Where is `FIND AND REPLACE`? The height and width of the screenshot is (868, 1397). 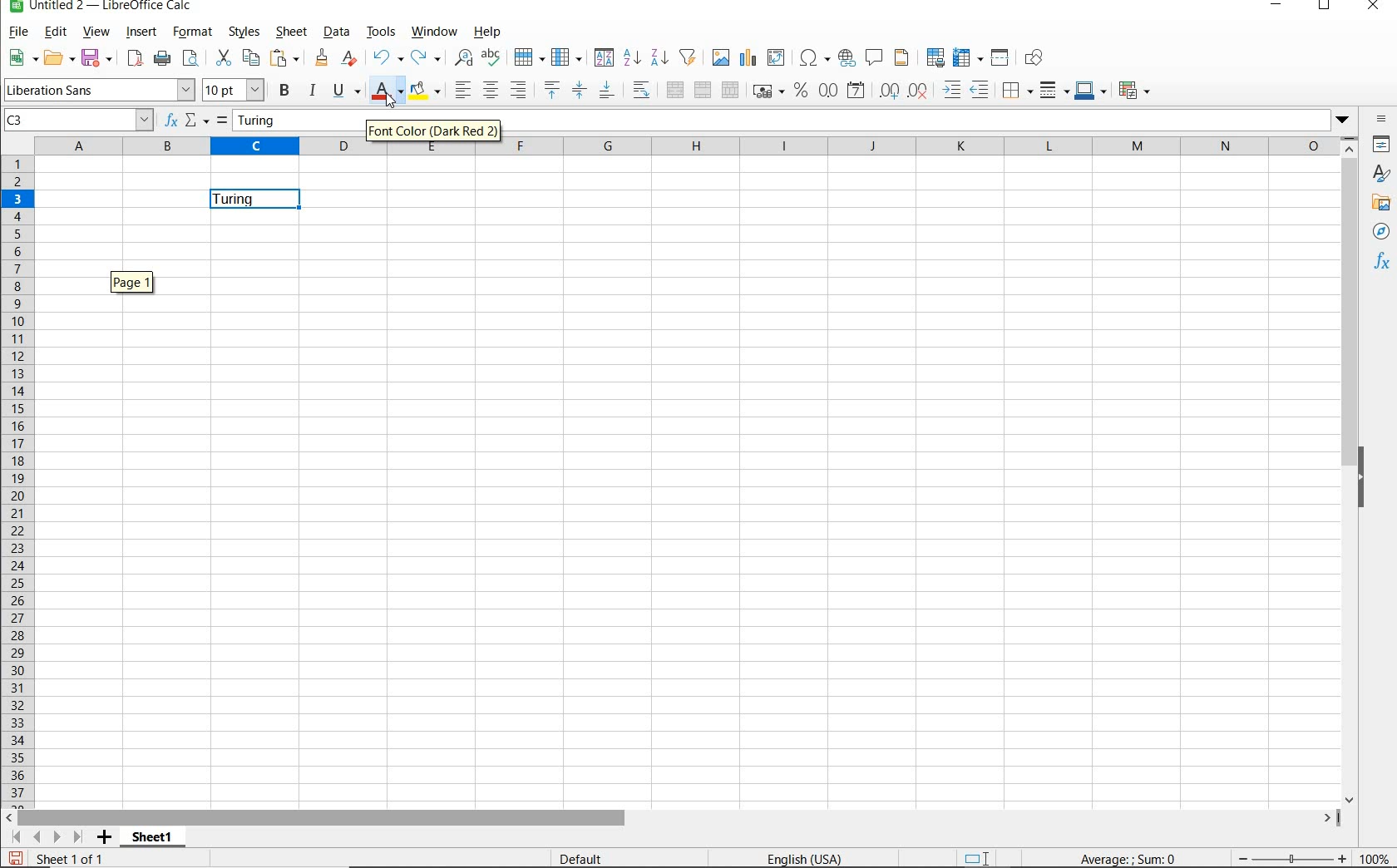 FIND AND REPLACE is located at coordinates (464, 57).